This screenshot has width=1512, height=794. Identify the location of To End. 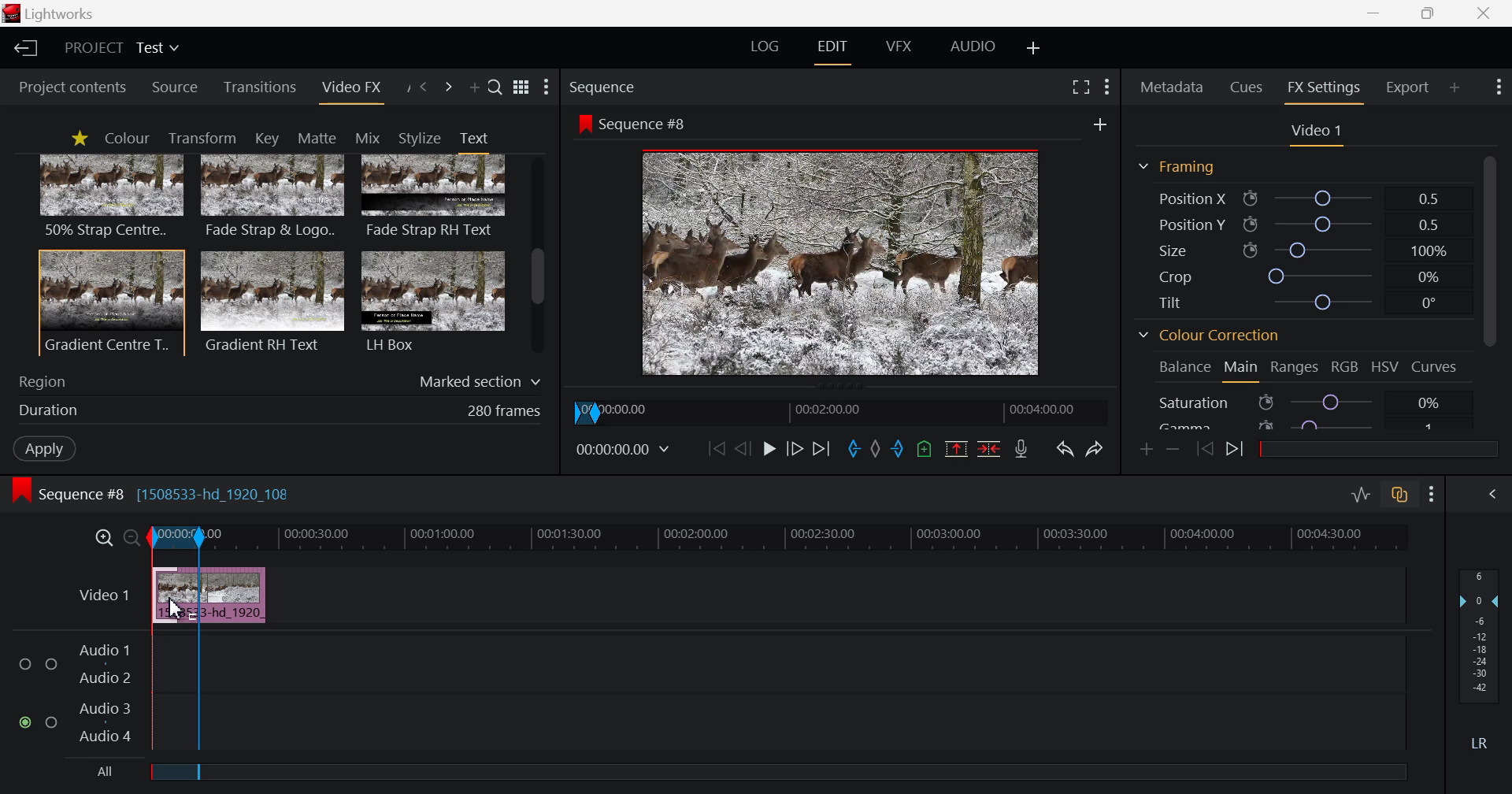
(823, 448).